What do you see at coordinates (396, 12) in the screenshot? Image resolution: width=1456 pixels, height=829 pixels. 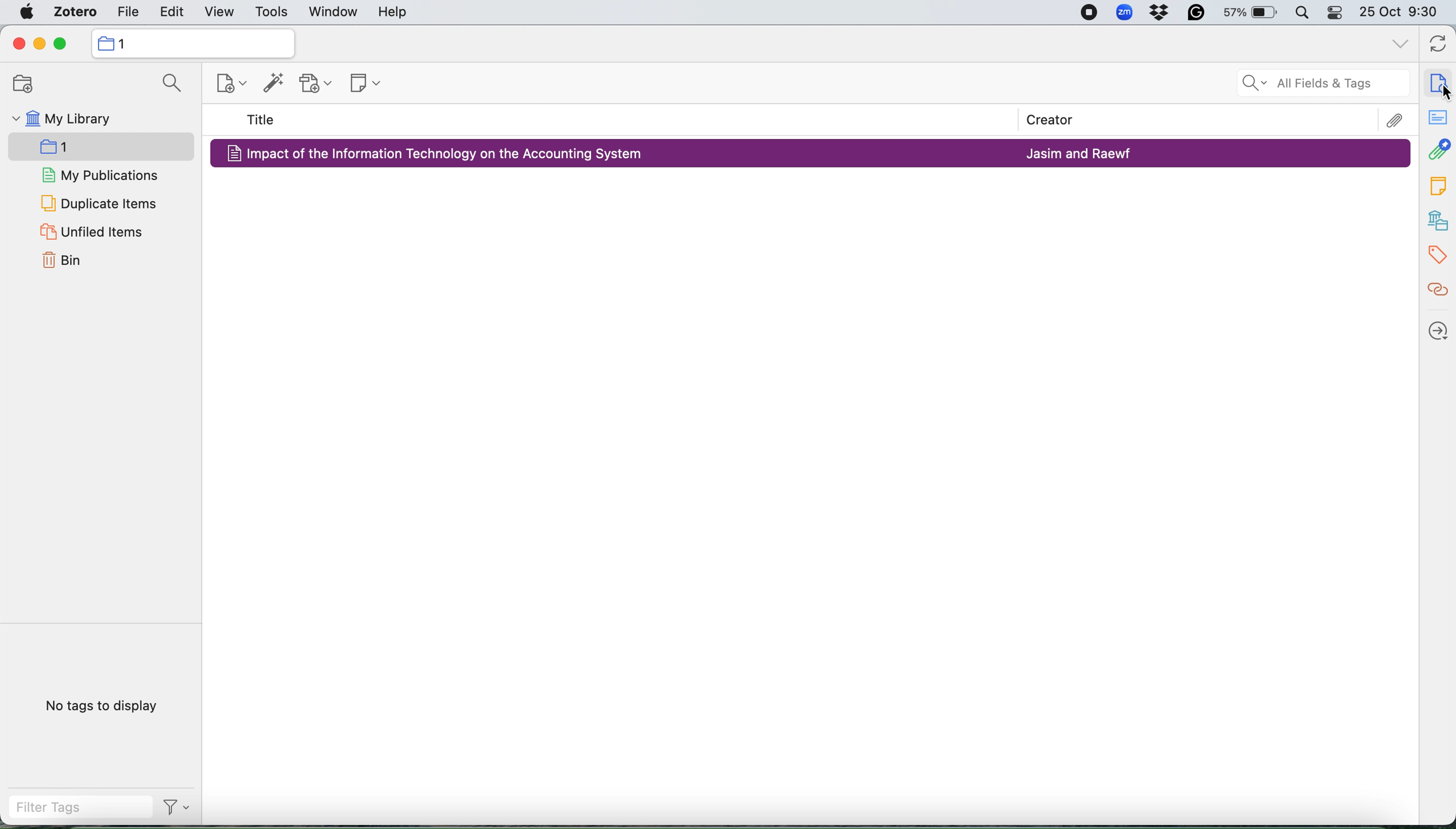 I see `help` at bounding box center [396, 12].